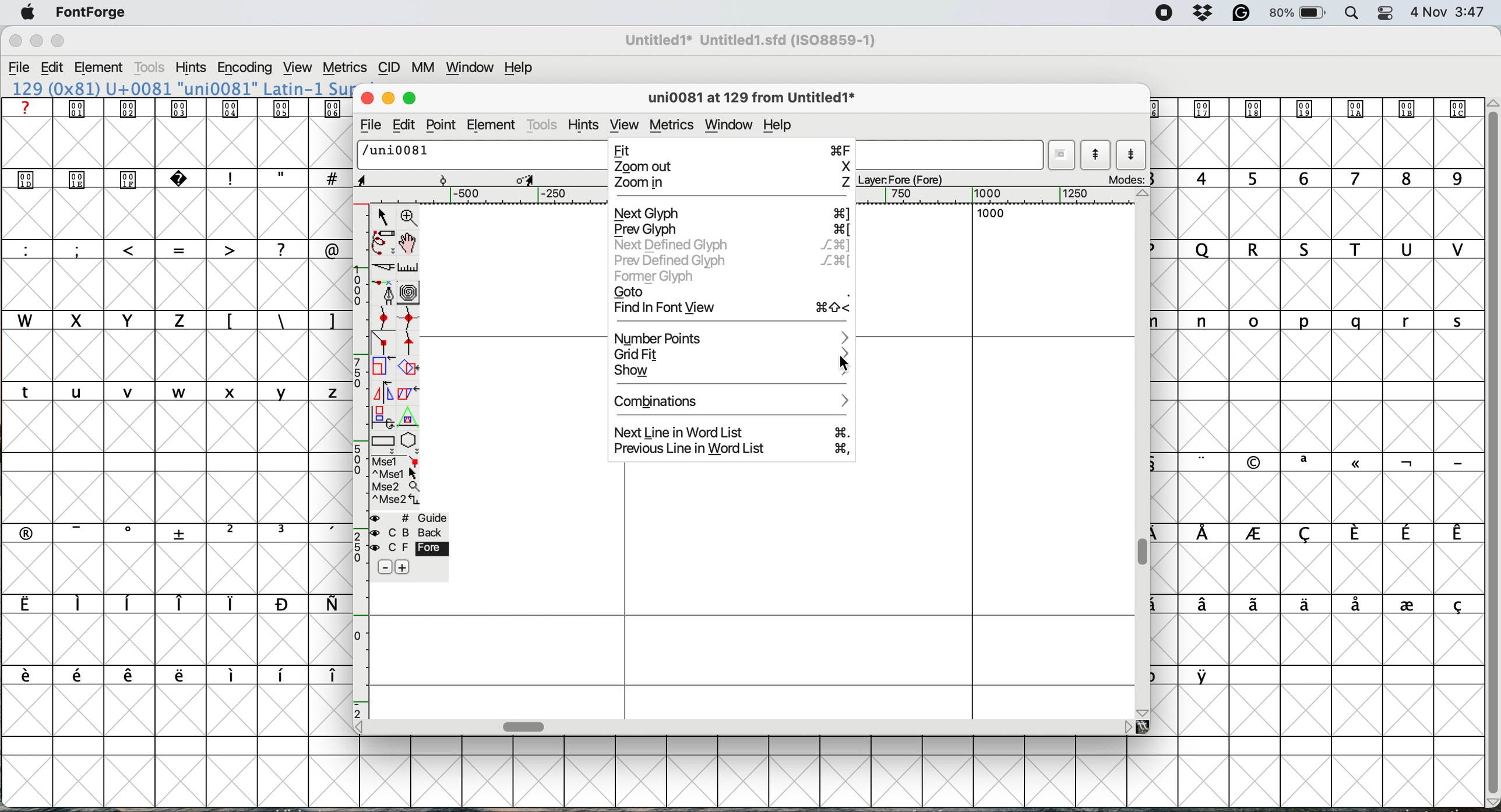 The image size is (1501, 812). Describe the element at coordinates (1145, 193) in the screenshot. I see `Scroll Button ` at that location.